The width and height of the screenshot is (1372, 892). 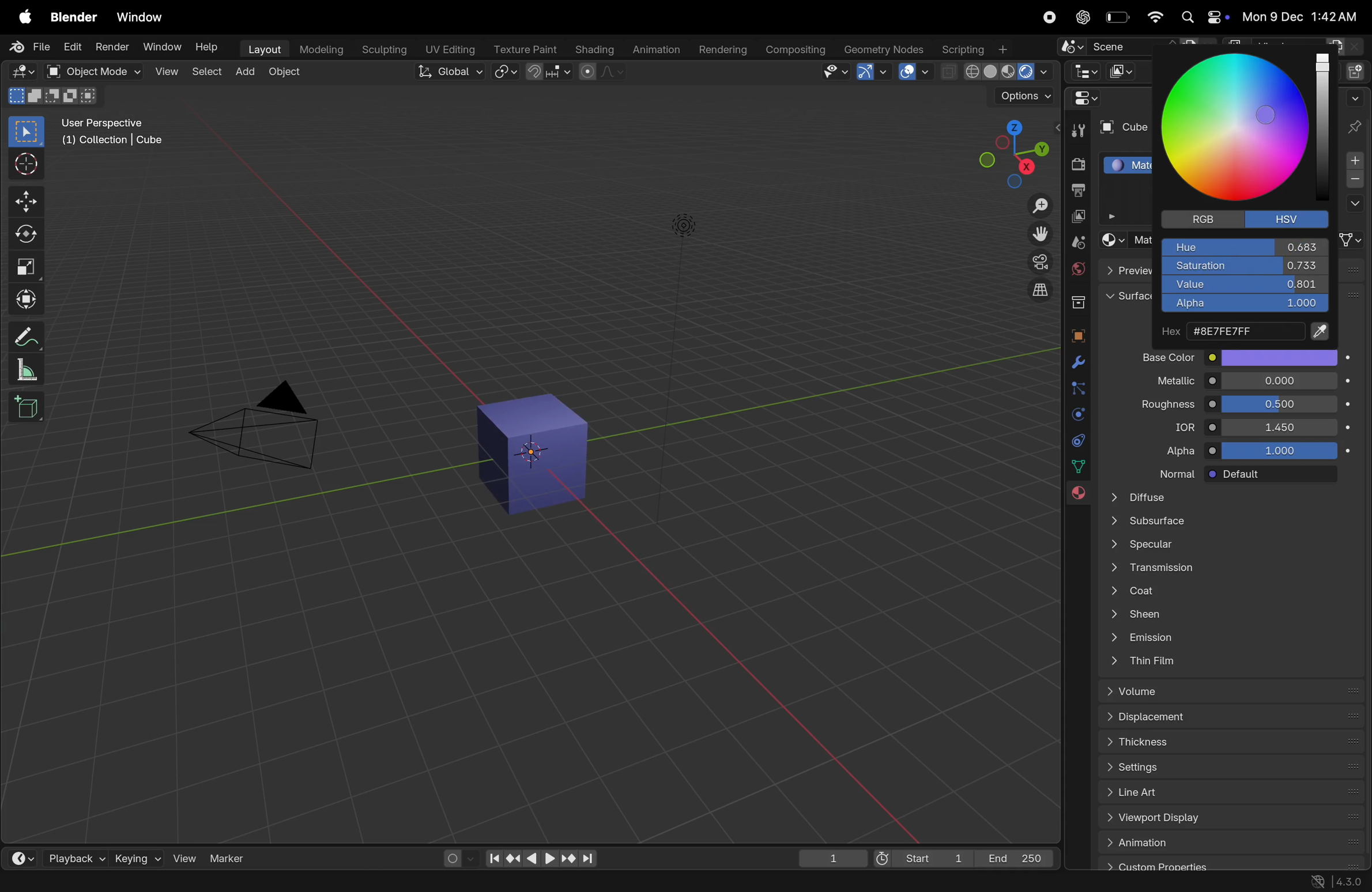 What do you see at coordinates (1160, 357) in the screenshot?
I see `base color` at bounding box center [1160, 357].